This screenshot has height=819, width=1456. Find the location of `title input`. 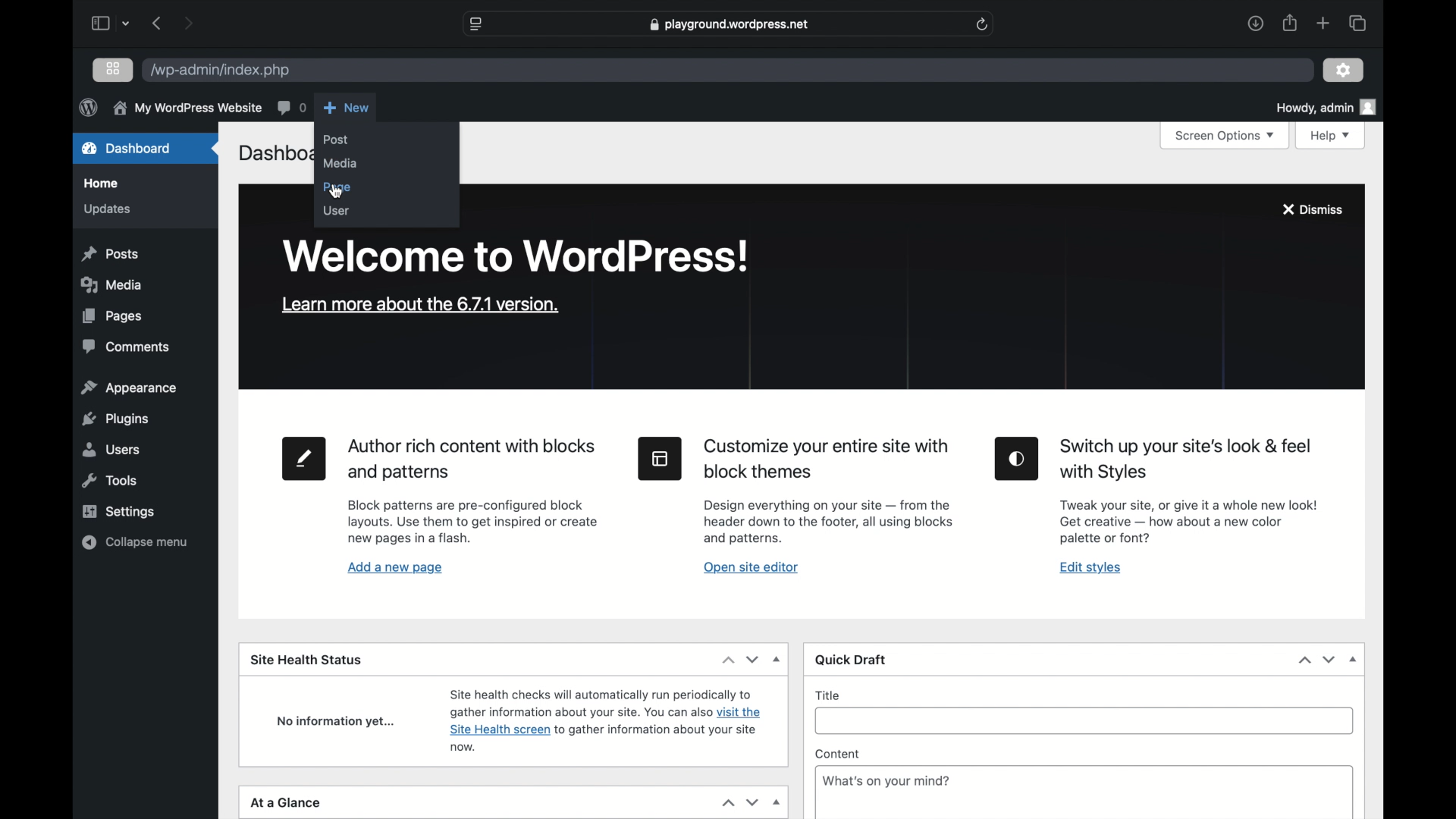

title input is located at coordinates (1083, 718).